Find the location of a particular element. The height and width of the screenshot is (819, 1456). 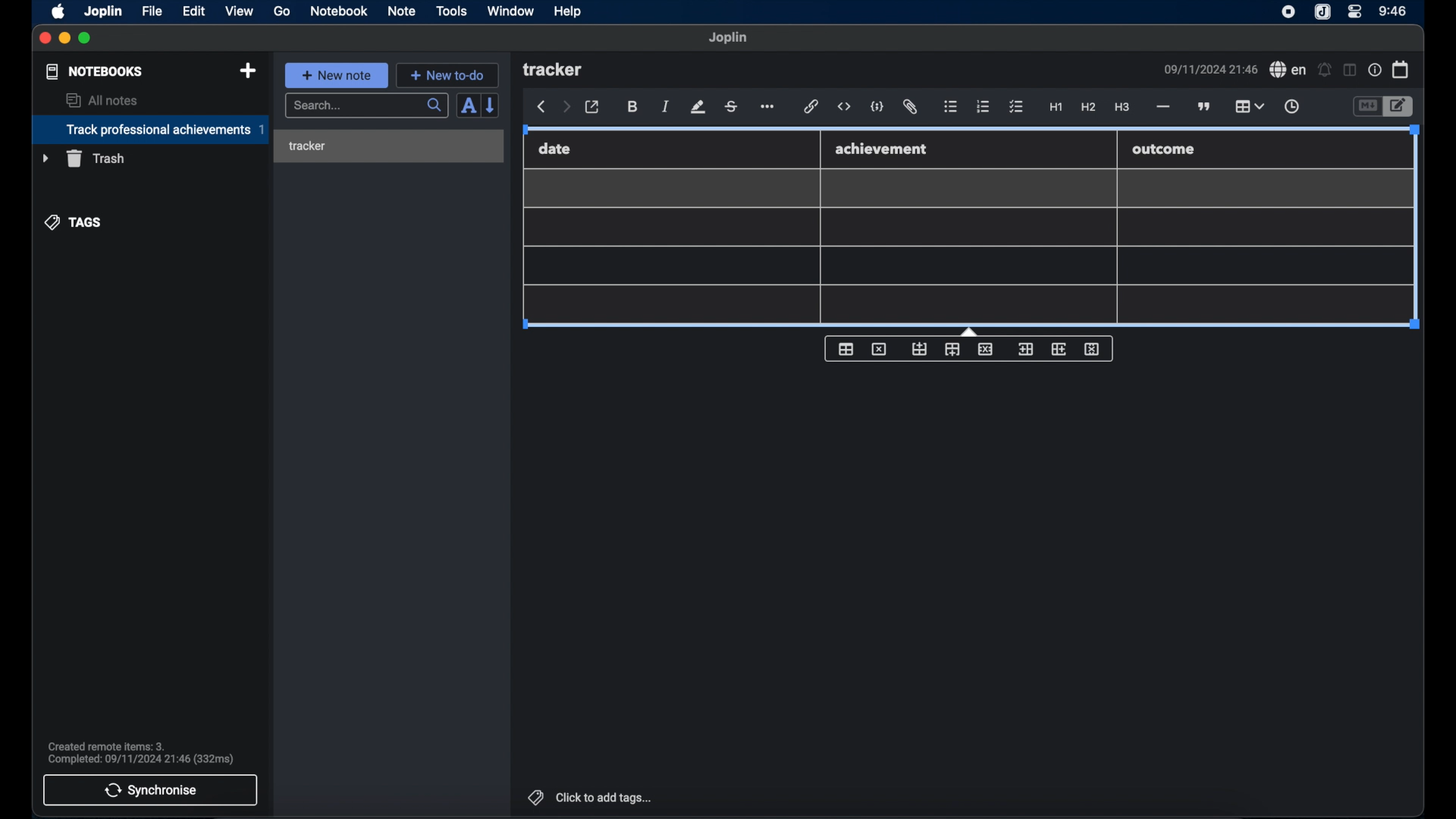

date and time is located at coordinates (1210, 69).